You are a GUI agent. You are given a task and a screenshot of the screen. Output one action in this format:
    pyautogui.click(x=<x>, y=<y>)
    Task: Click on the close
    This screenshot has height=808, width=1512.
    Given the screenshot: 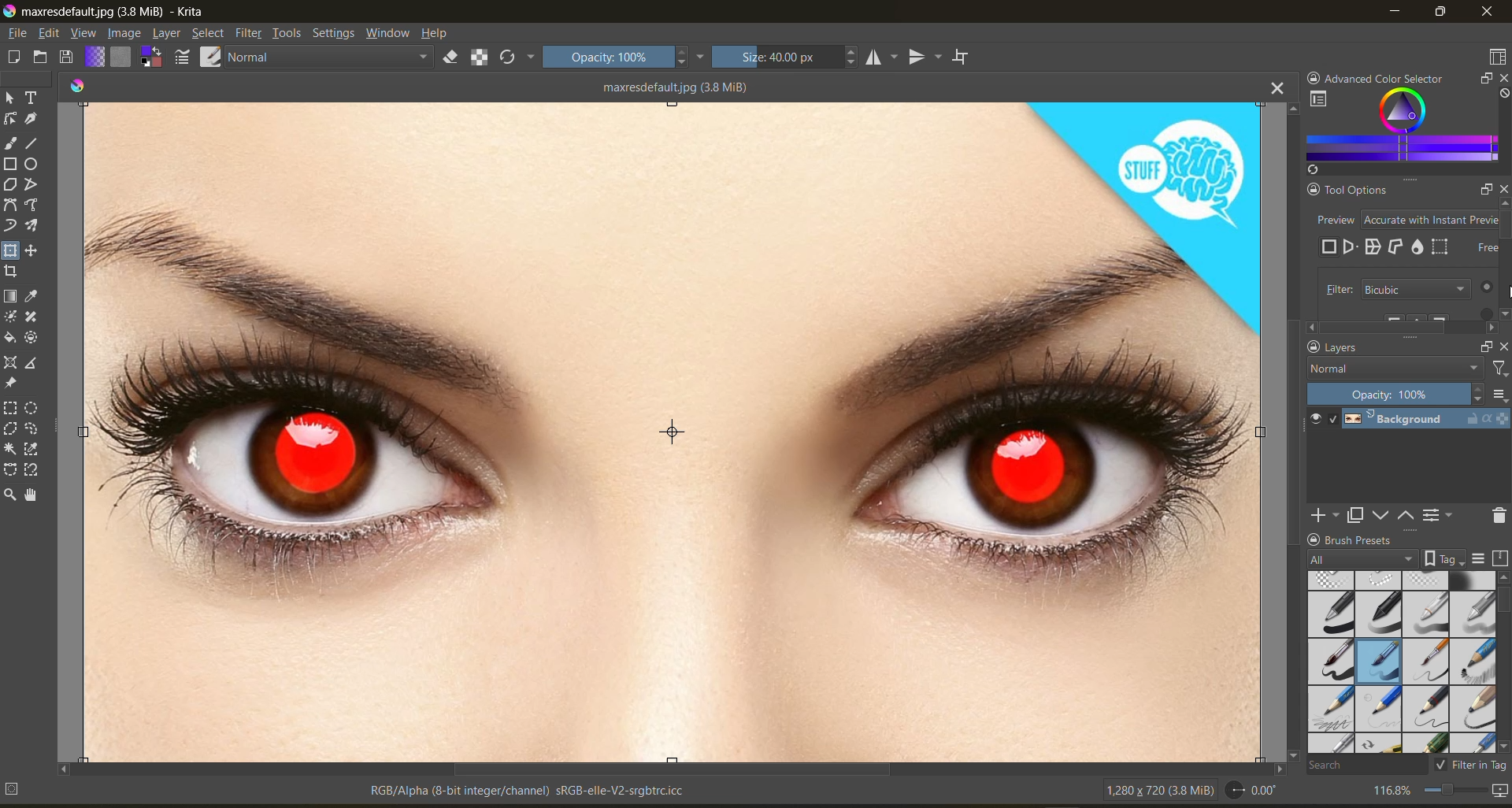 What is the action you would take?
    pyautogui.click(x=1503, y=343)
    